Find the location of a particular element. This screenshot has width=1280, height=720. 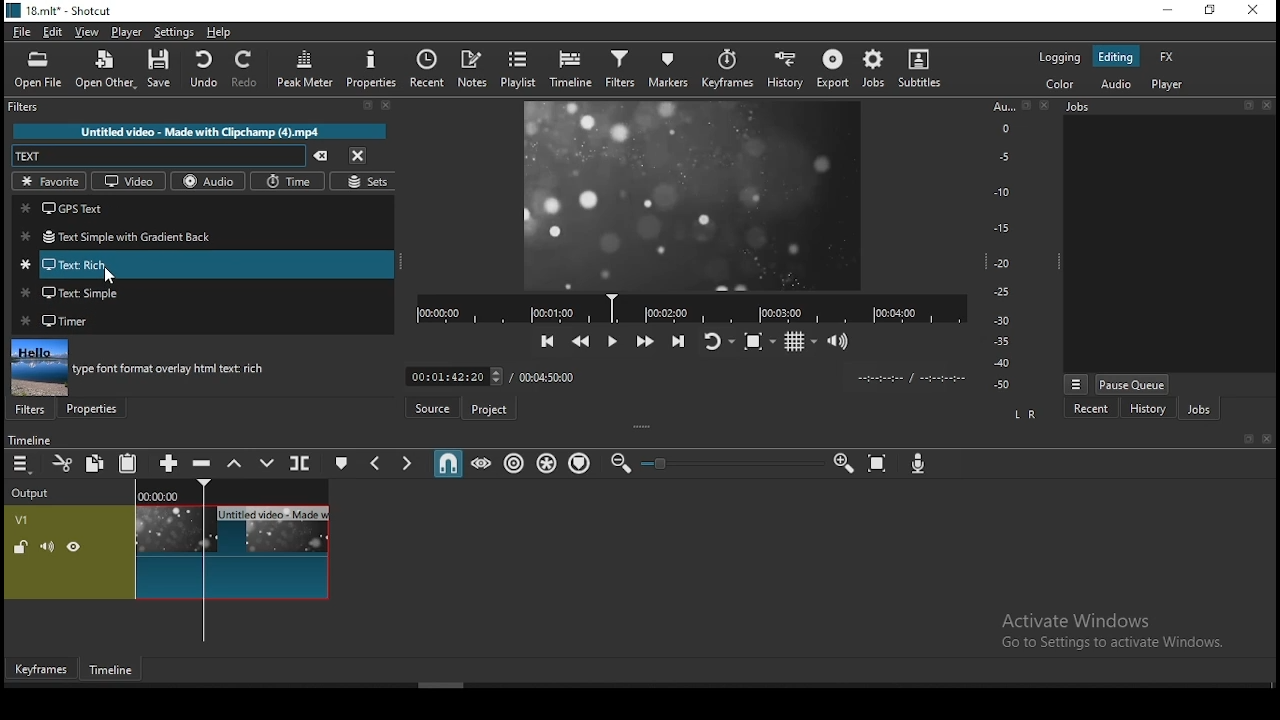

timeline is located at coordinates (113, 671).